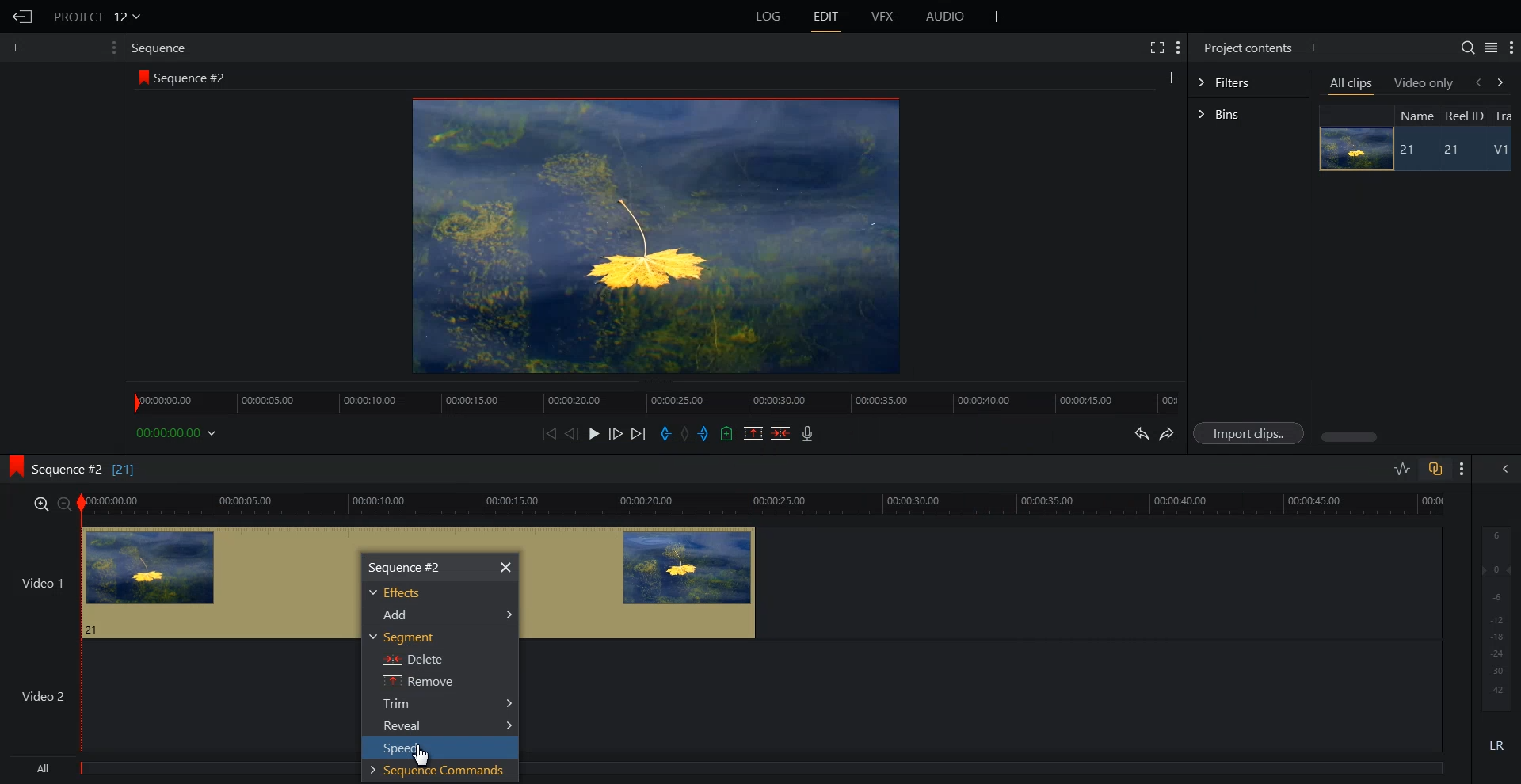 This screenshot has width=1521, height=784. Describe the element at coordinates (1477, 82) in the screenshot. I see `backward` at that location.